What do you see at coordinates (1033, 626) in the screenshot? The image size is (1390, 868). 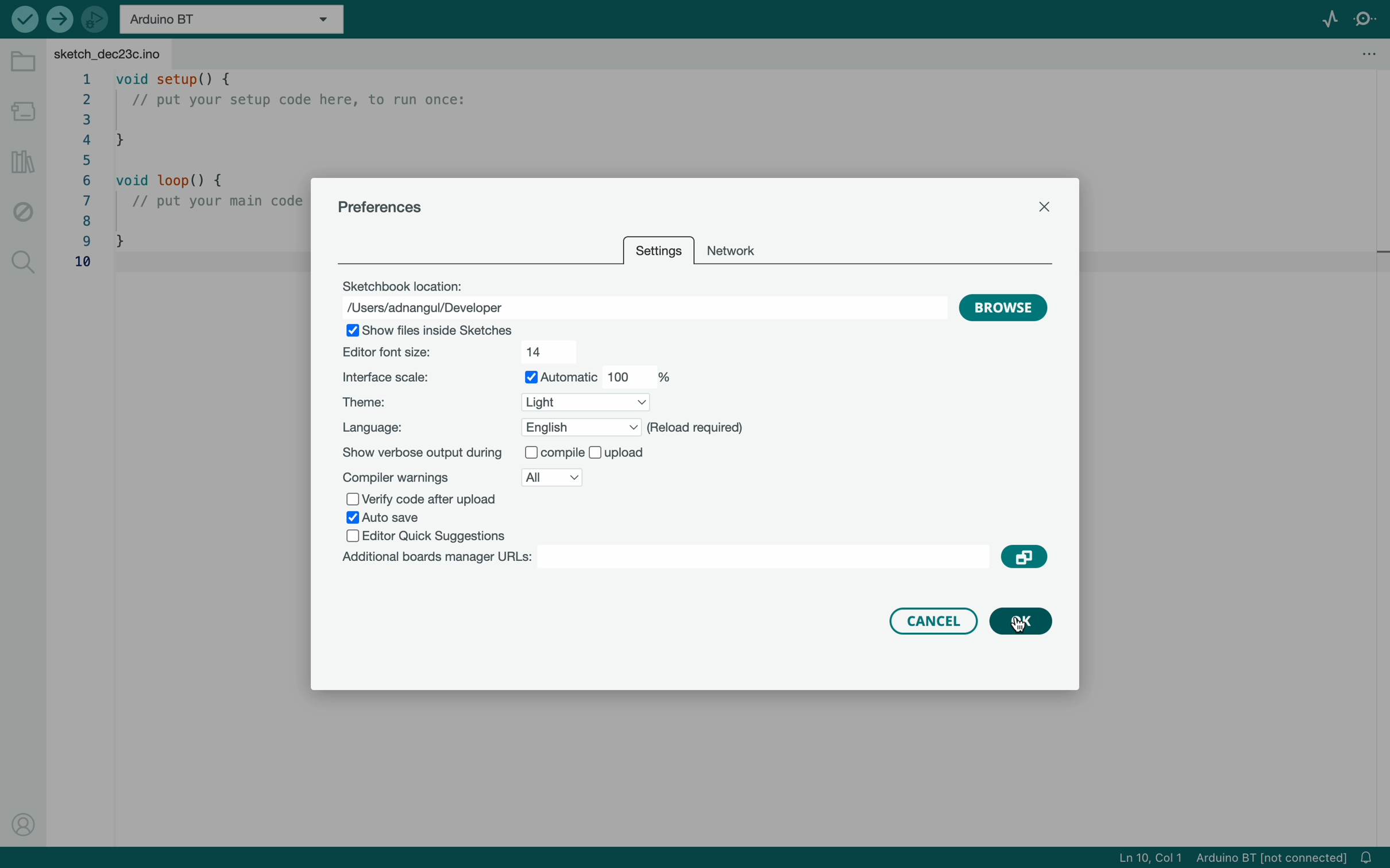 I see `curser` at bounding box center [1033, 626].